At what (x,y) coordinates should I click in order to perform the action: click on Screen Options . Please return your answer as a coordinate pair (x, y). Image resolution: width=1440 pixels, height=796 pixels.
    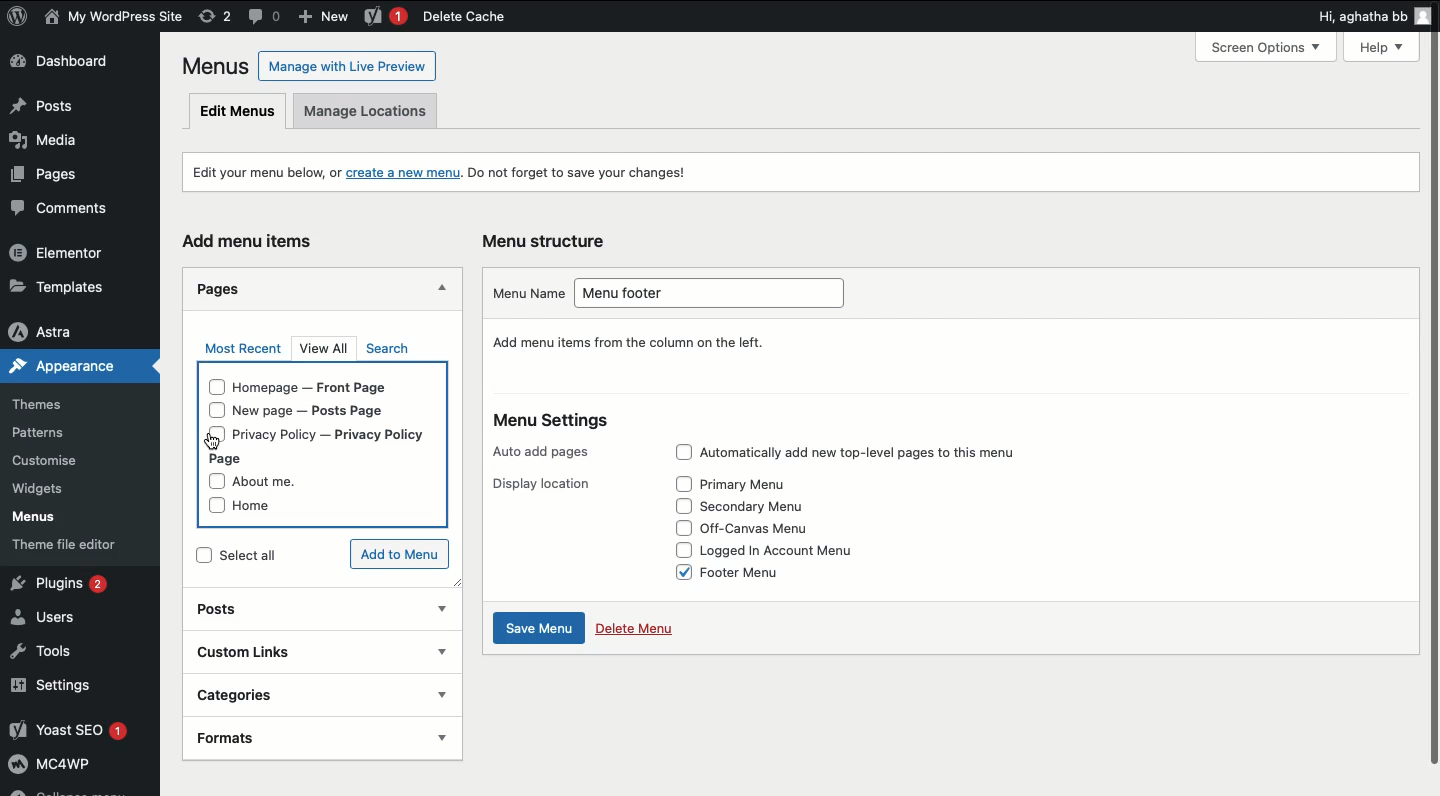
    Looking at the image, I should click on (1274, 47).